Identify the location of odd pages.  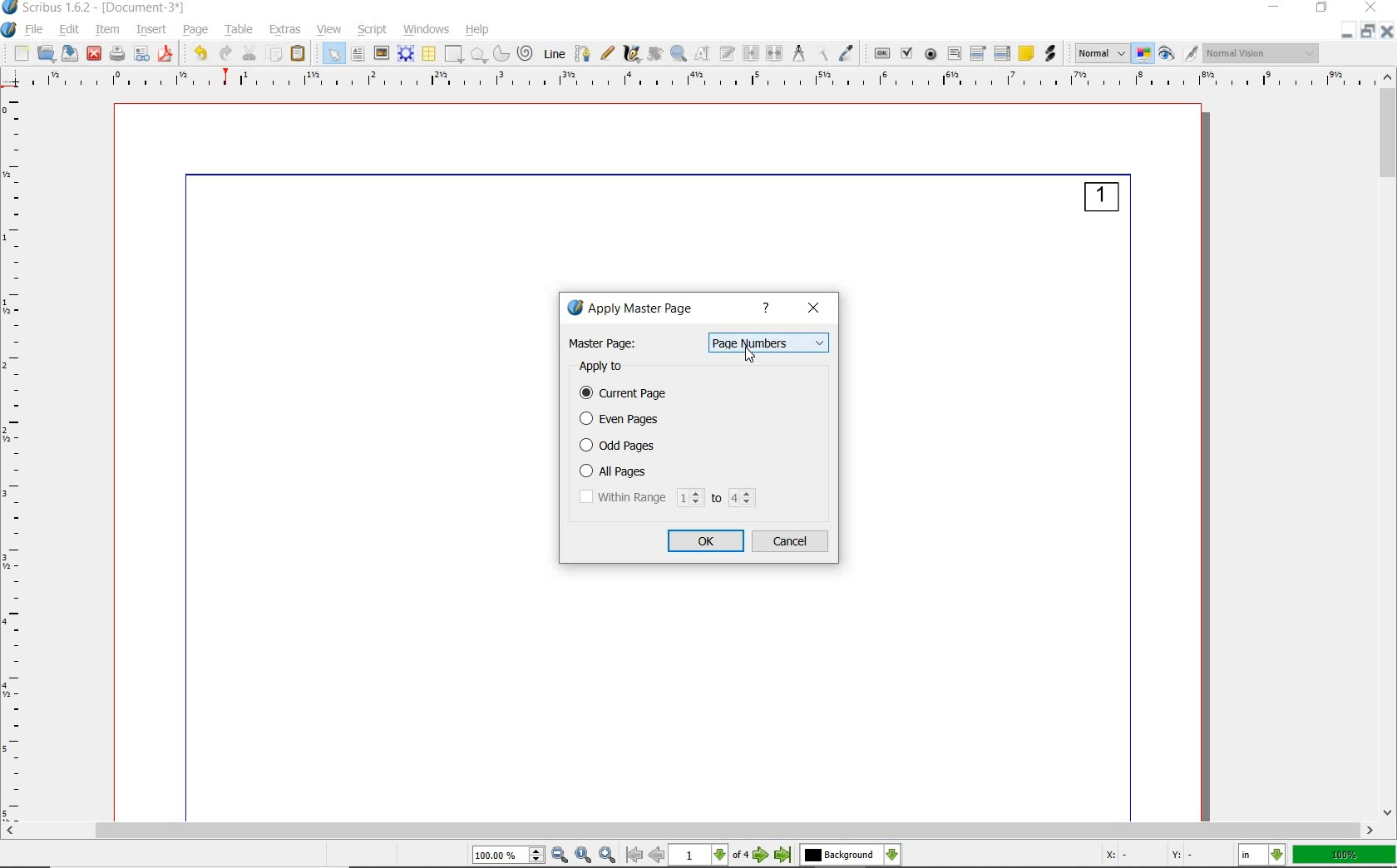
(624, 446).